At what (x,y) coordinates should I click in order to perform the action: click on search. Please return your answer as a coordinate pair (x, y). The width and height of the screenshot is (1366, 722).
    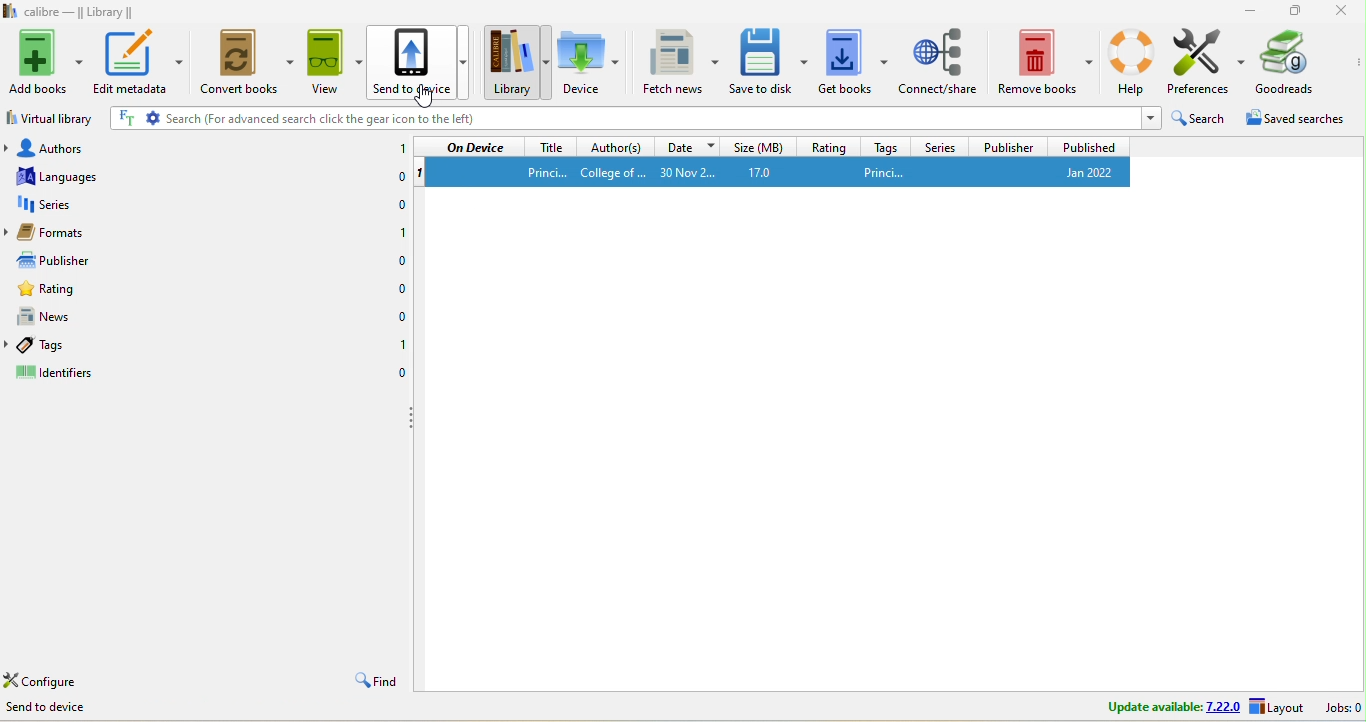
    Looking at the image, I should click on (1198, 120).